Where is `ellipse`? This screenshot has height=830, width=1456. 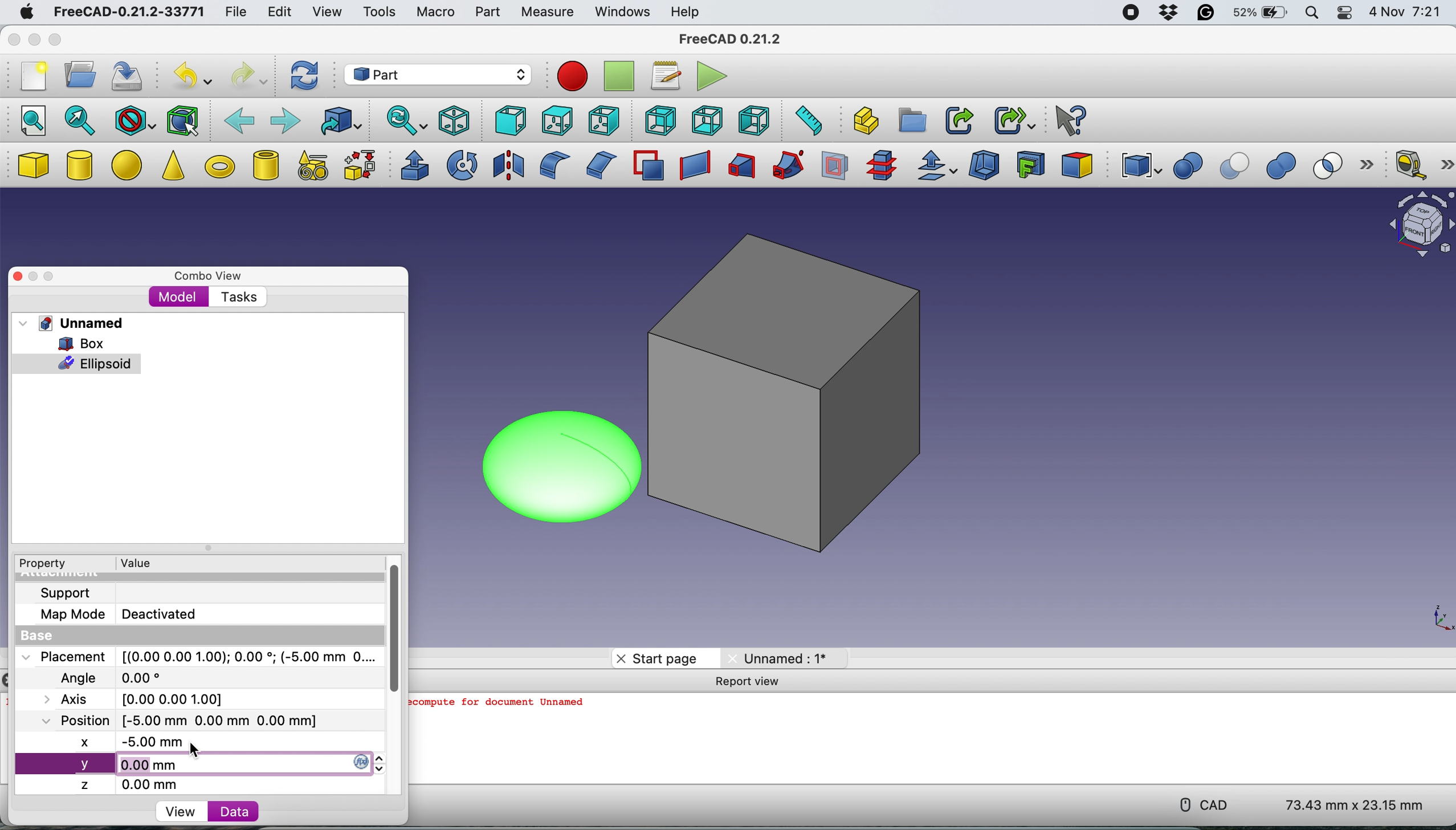 ellipse is located at coordinates (129, 164).